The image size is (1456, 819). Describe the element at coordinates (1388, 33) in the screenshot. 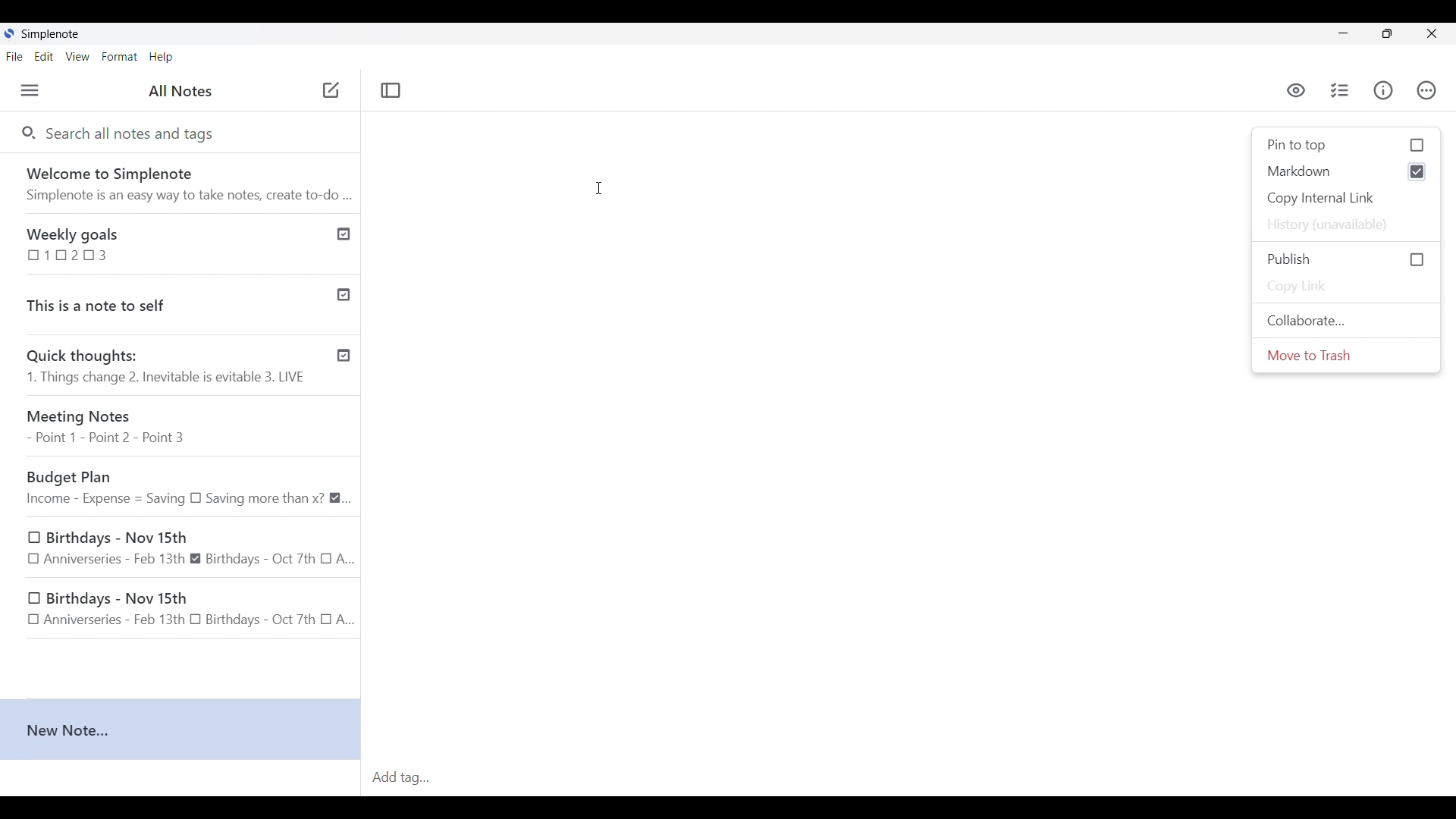

I see `Show interface in a smaller tab` at that location.